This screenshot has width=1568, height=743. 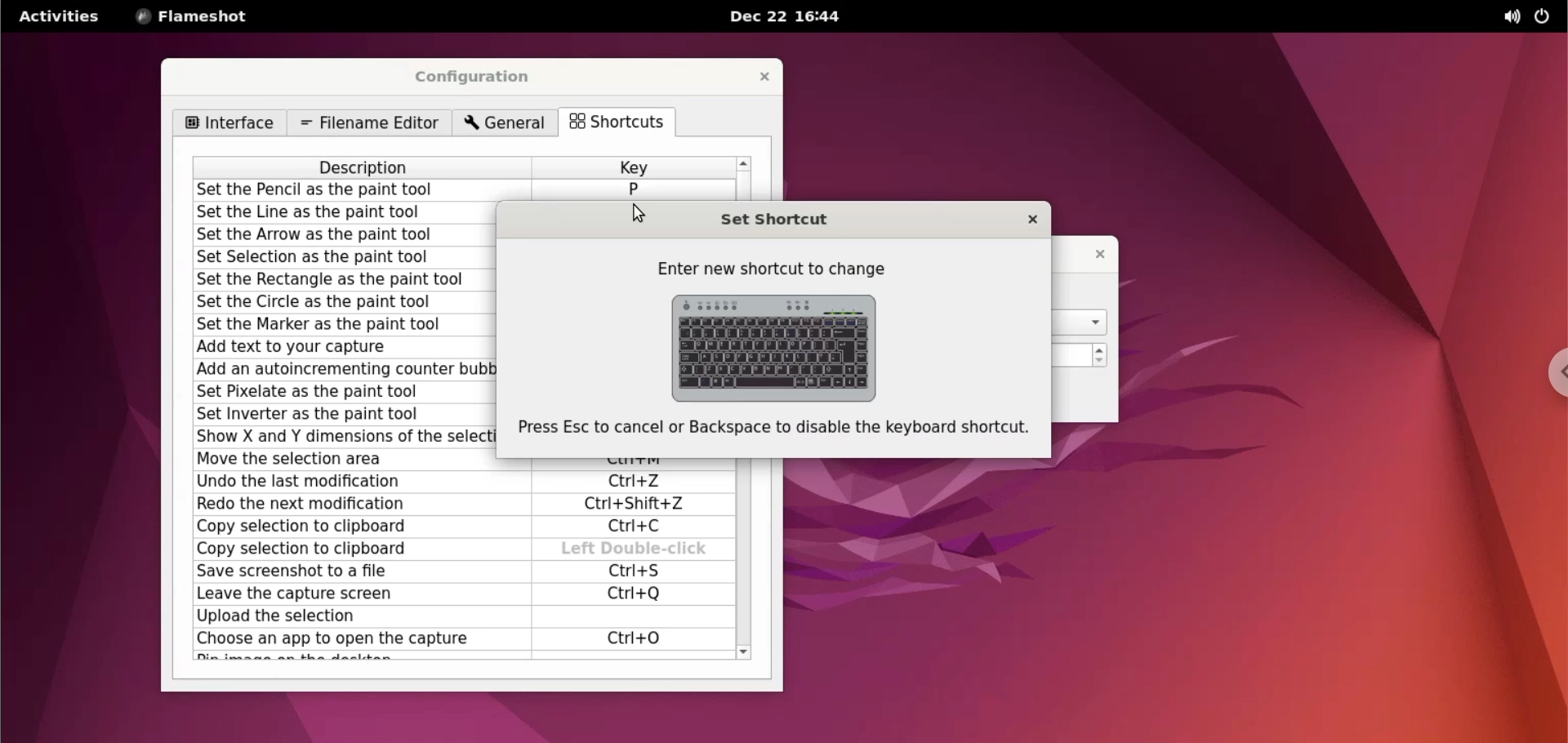 I want to click on Ctrl + C , so click(x=639, y=527).